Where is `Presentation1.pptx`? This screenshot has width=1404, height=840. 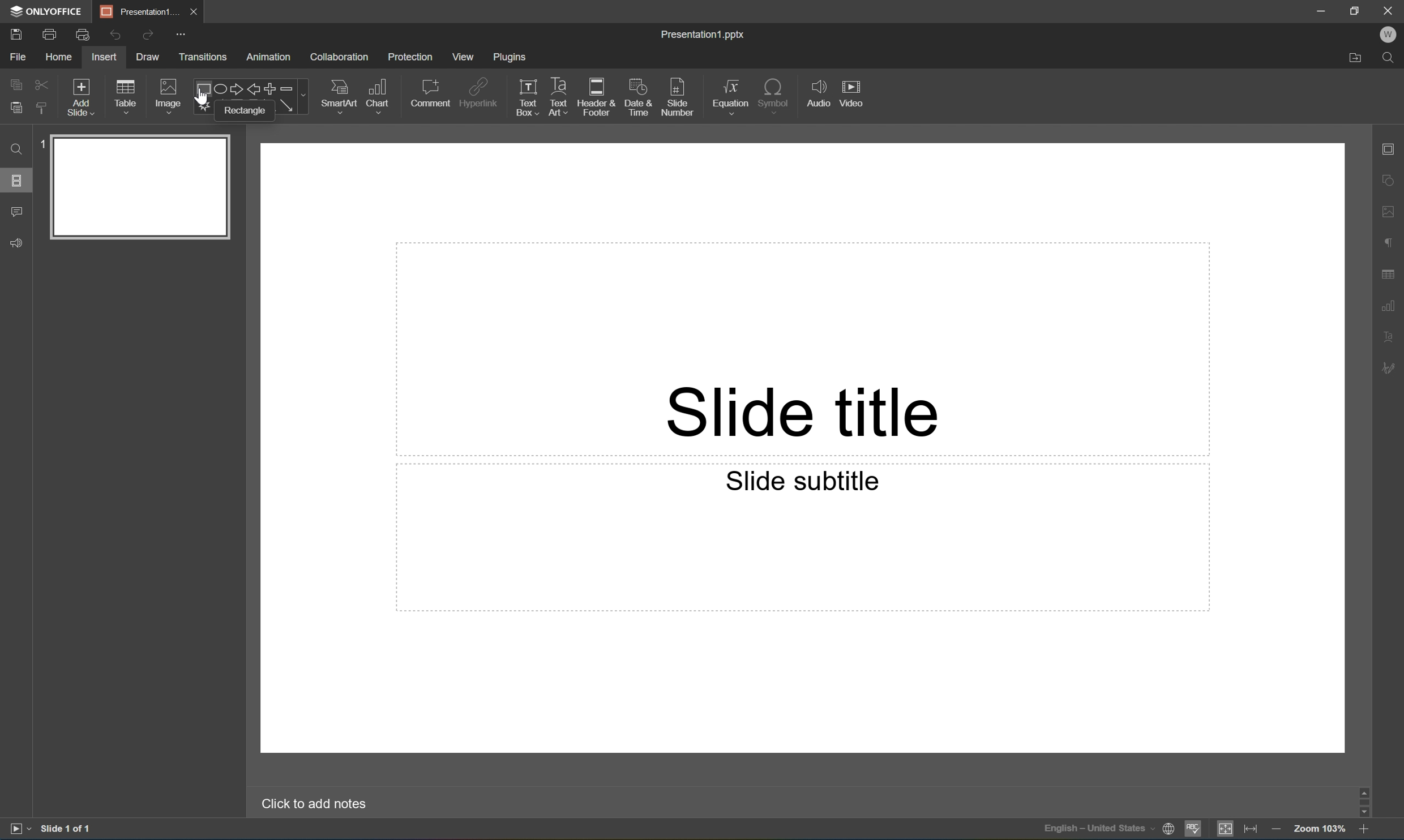
Presentation1.pptx is located at coordinates (705, 36).